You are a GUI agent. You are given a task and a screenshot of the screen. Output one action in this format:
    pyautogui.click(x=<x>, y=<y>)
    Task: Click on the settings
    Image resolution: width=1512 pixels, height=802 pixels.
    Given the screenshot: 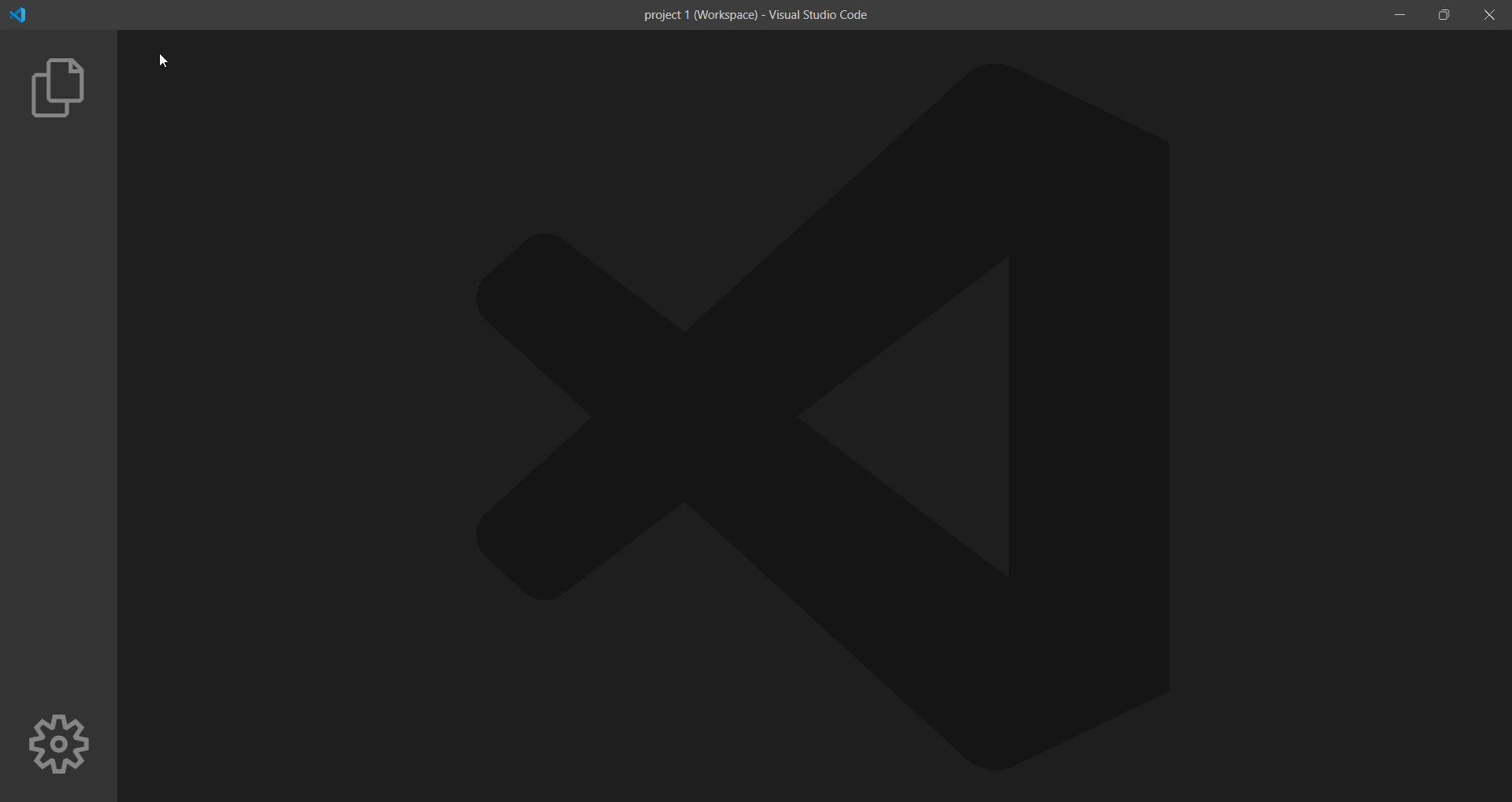 What is the action you would take?
    pyautogui.click(x=57, y=744)
    